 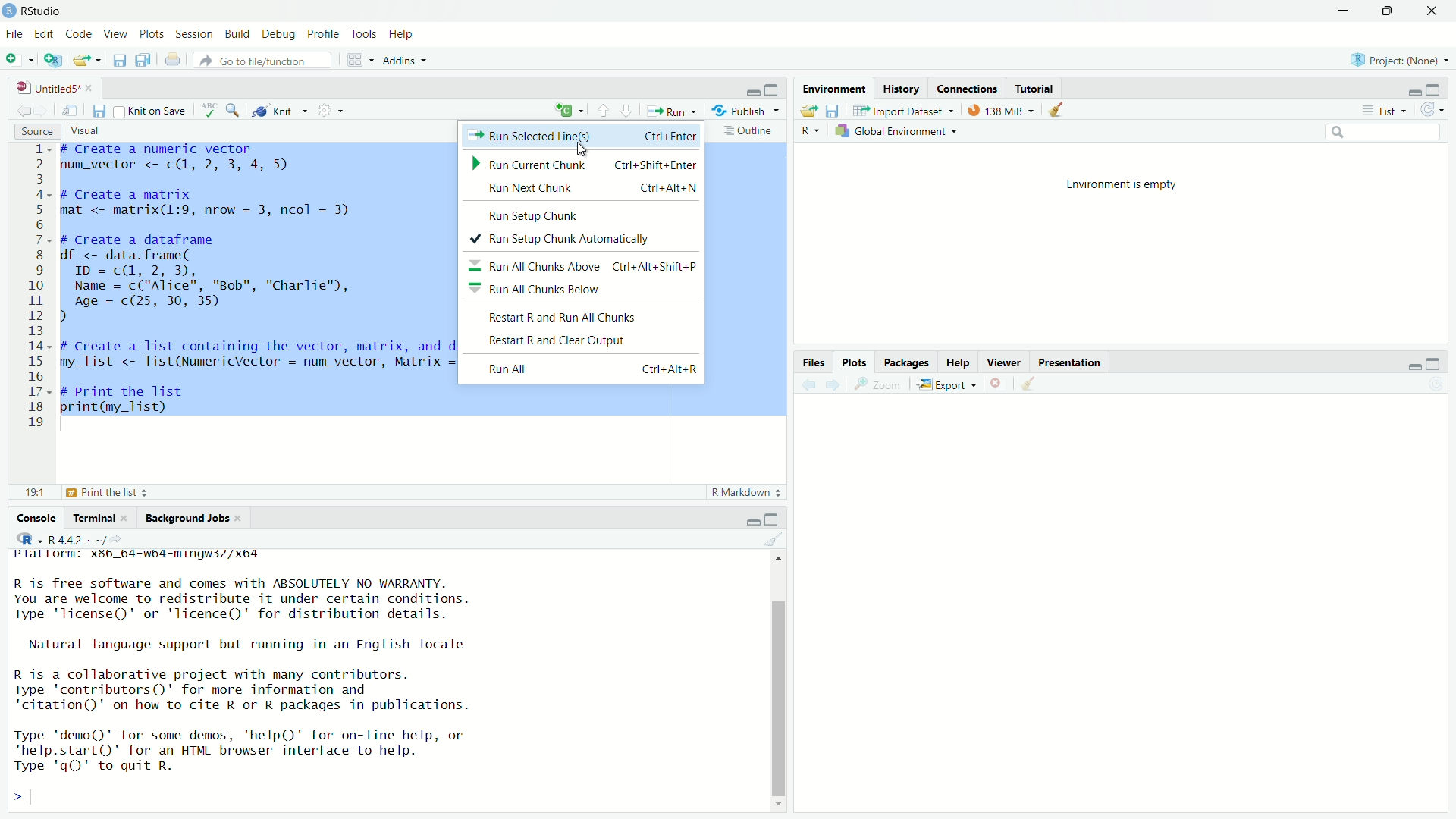 What do you see at coordinates (53, 62) in the screenshot?
I see `add script` at bounding box center [53, 62].